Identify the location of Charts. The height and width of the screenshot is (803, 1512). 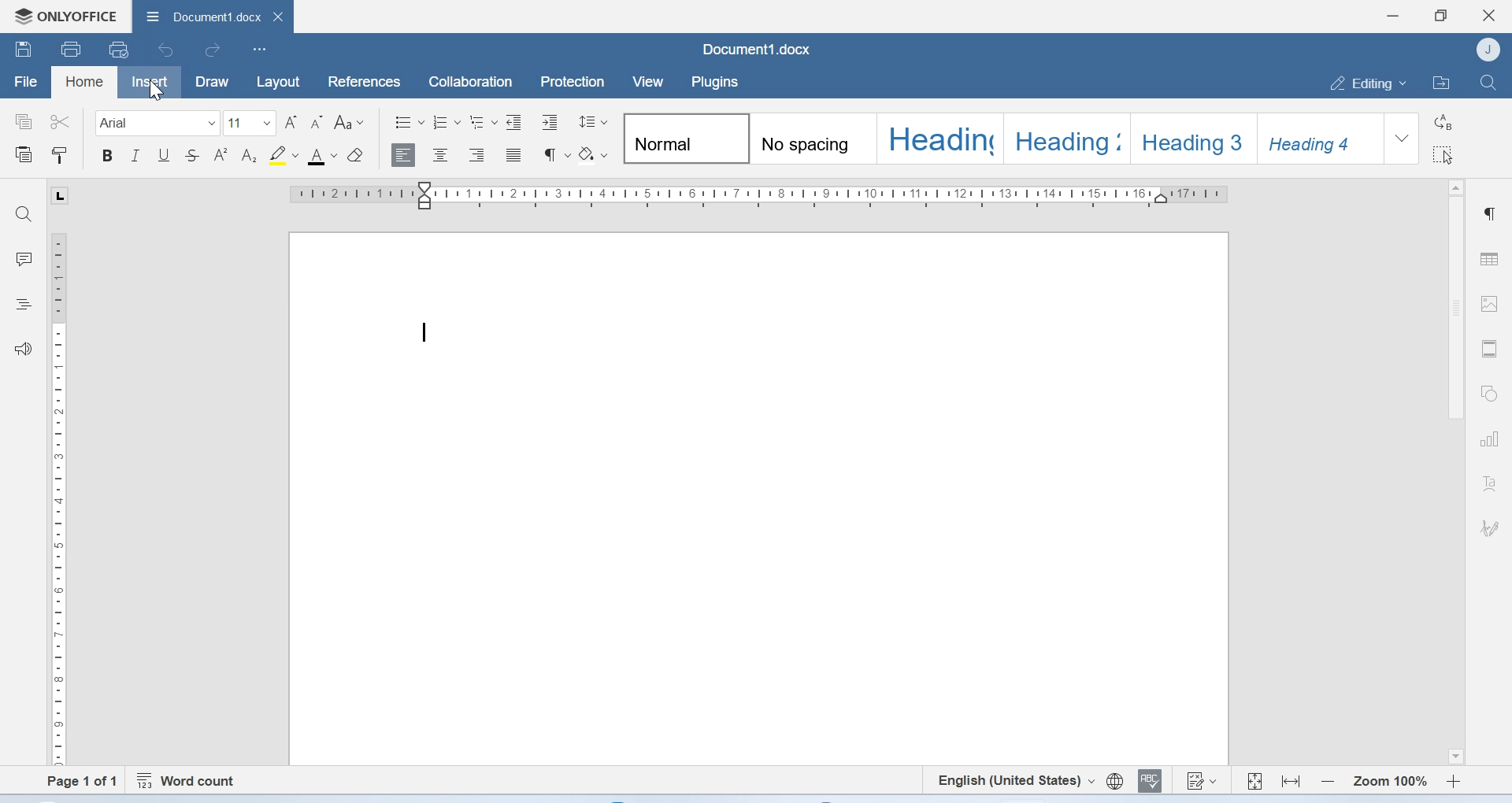
(1488, 440).